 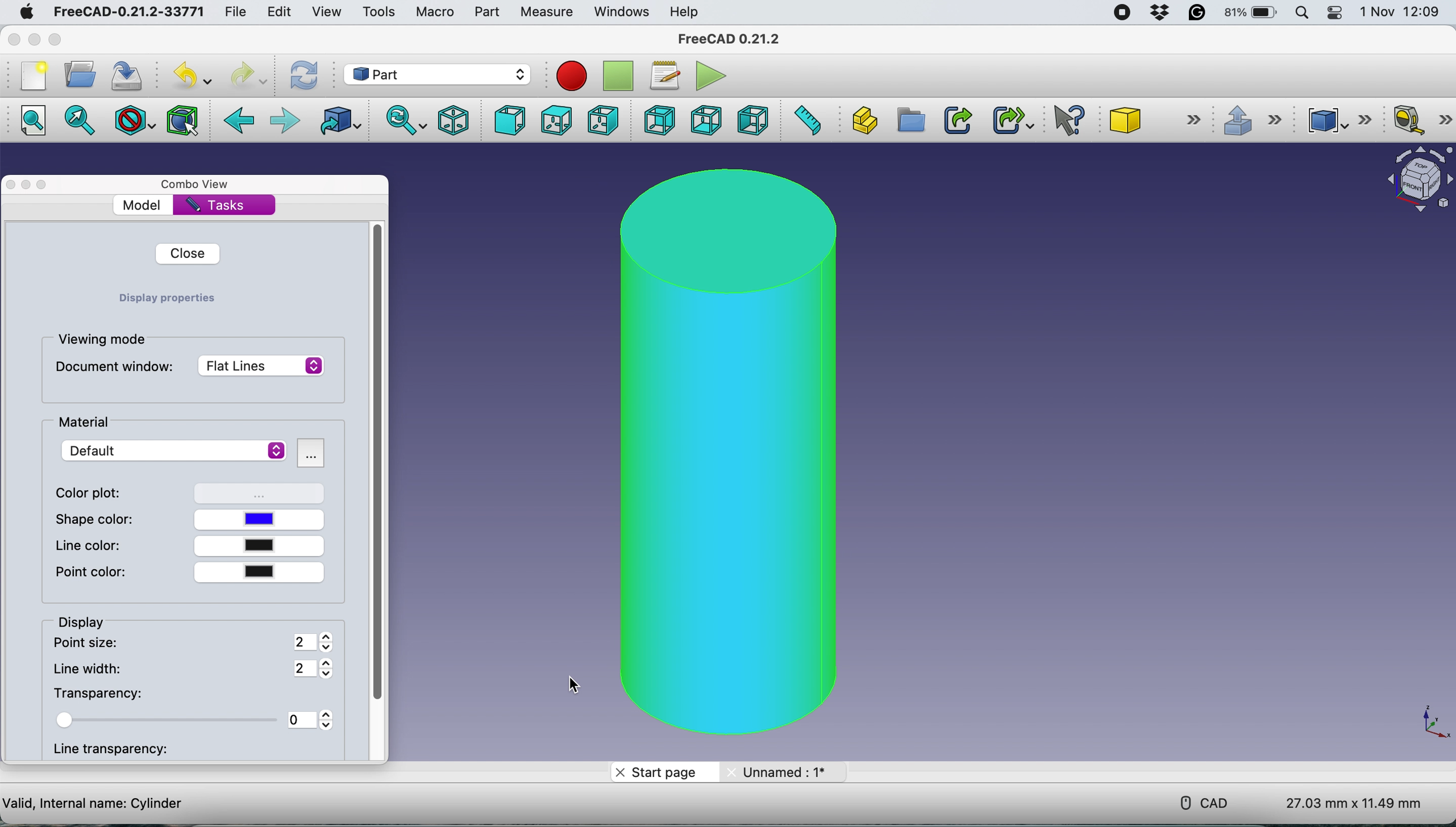 I want to click on Display properties, so click(x=167, y=300).